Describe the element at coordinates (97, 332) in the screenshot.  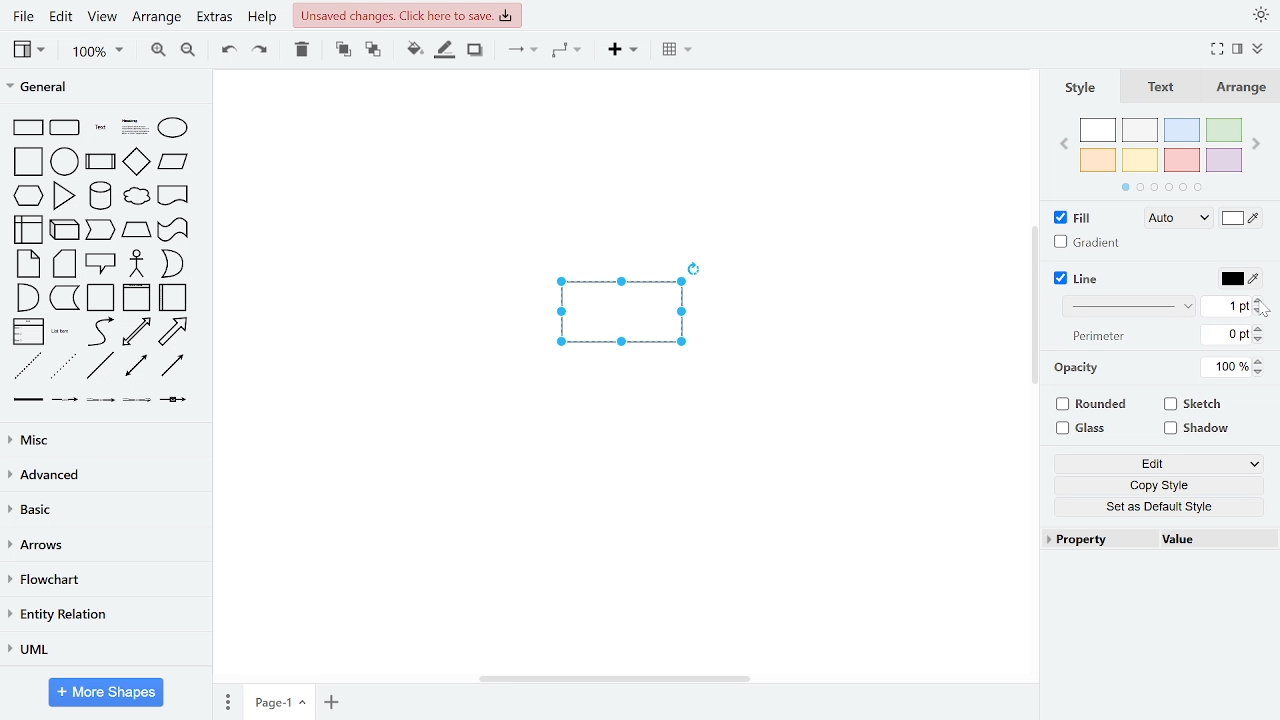
I see `general shapes` at that location.